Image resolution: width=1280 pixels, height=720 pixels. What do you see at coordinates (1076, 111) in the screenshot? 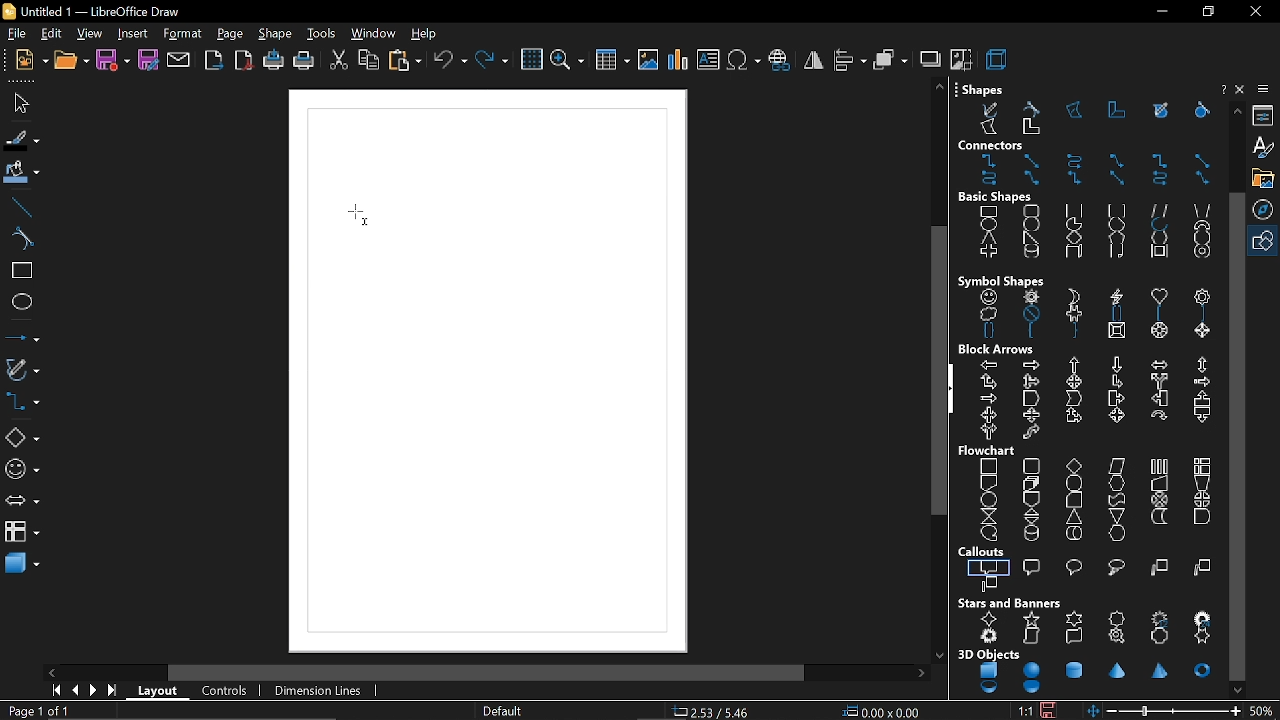
I see `polygon` at bounding box center [1076, 111].